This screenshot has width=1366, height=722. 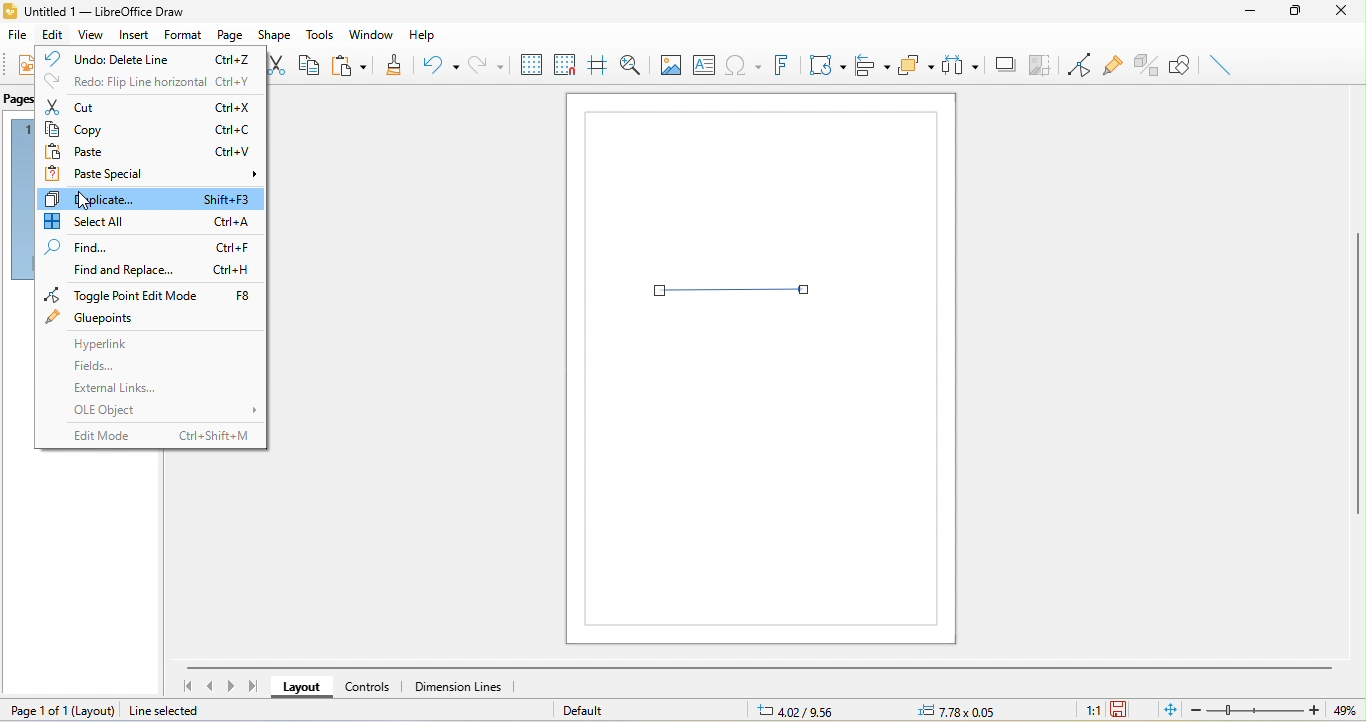 What do you see at coordinates (85, 199) in the screenshot?
I see `cursor movement` at bounding box center [85, 199].